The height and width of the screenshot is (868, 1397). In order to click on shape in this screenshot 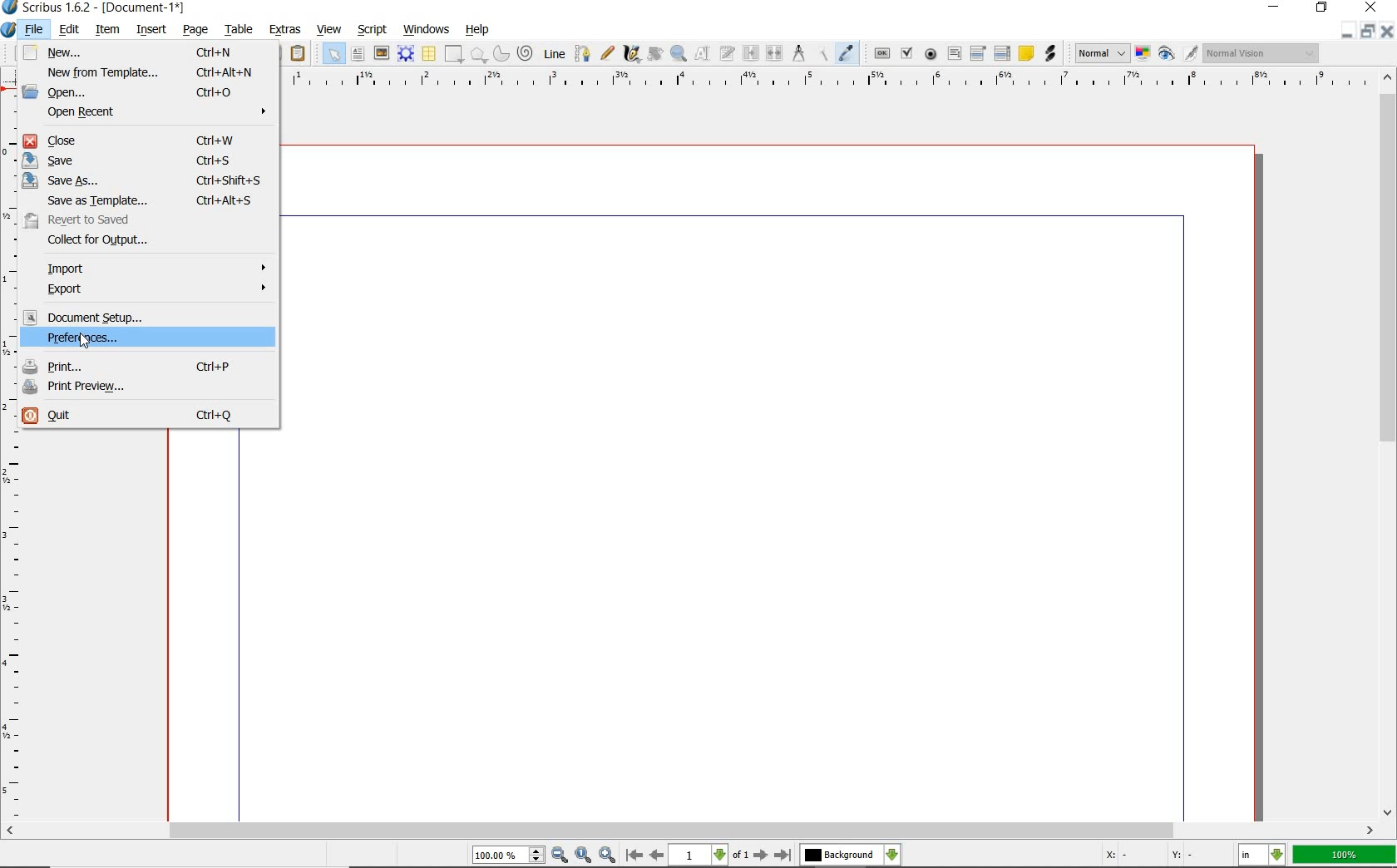, I will do `click(455, 54)`.